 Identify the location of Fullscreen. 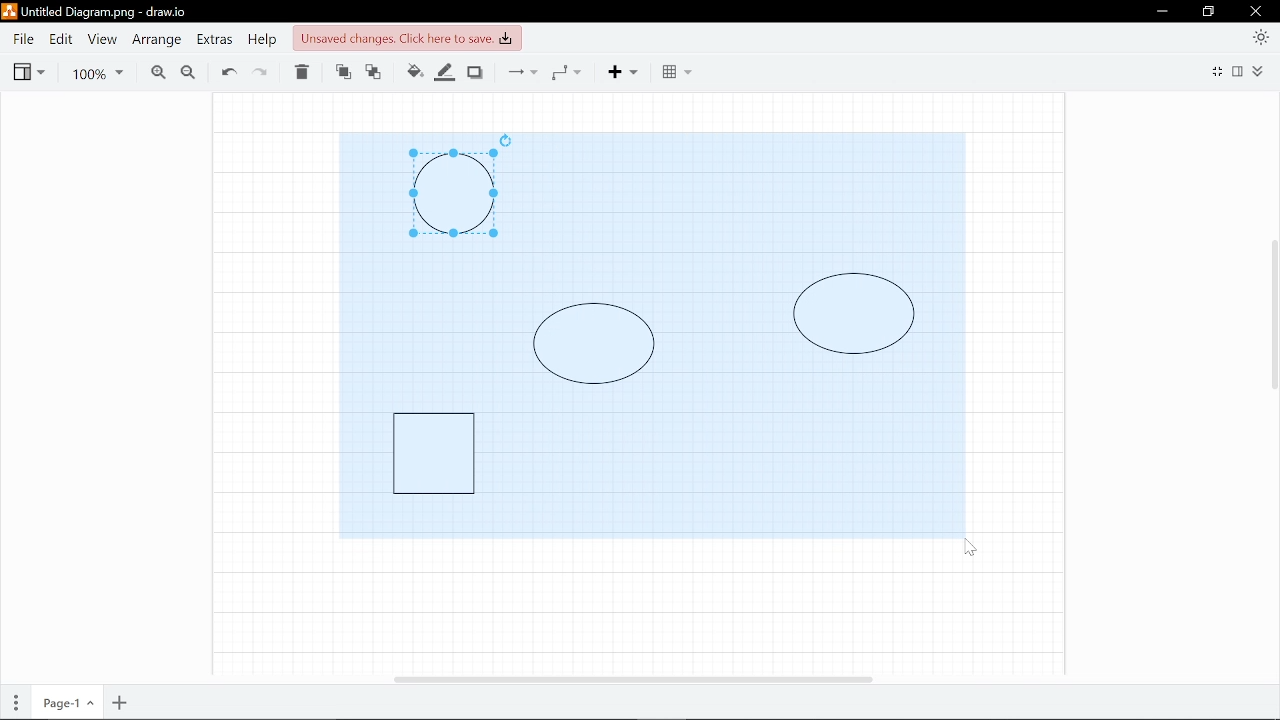
(1215, 73).